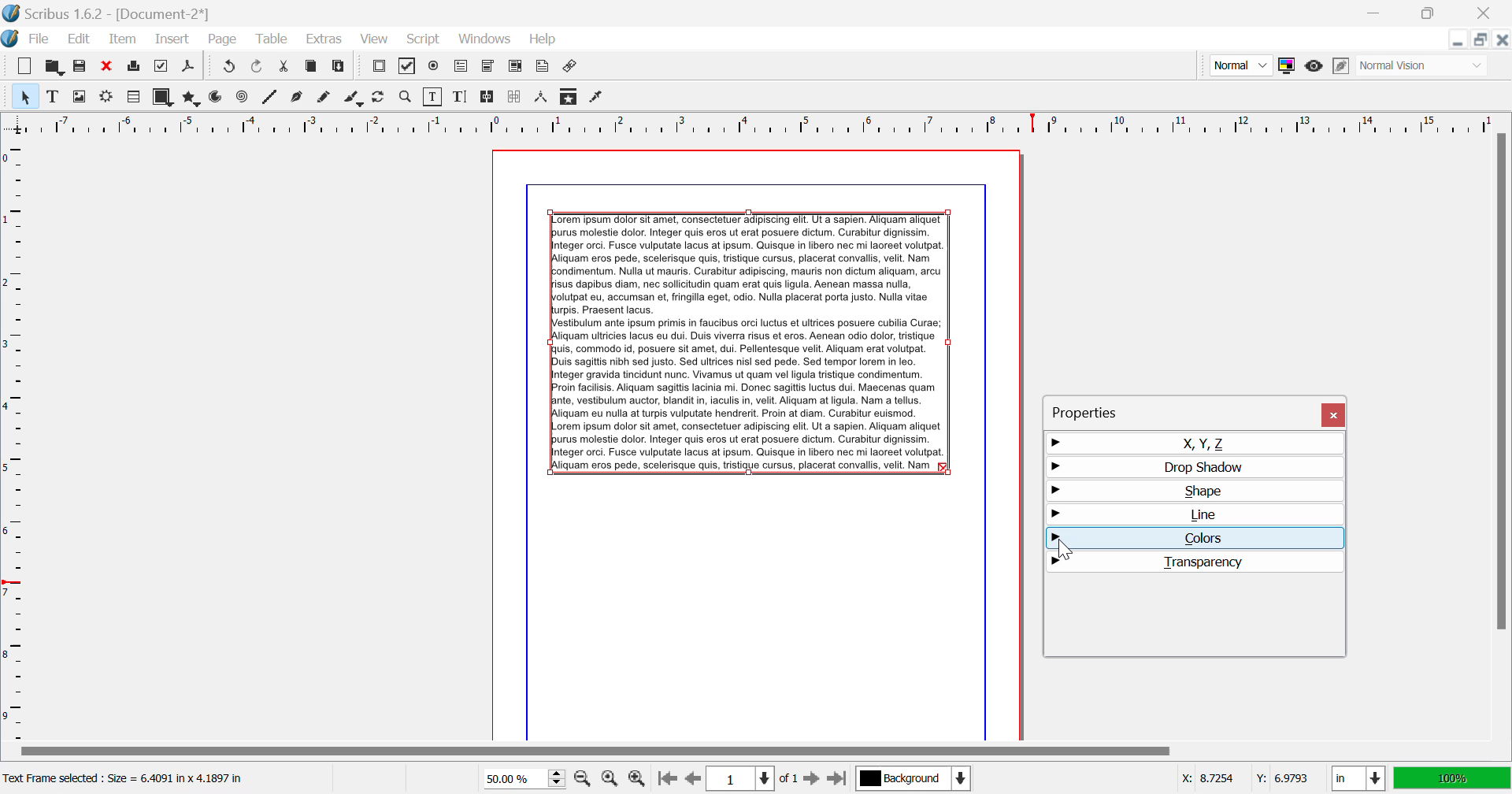 This screenshot has height=794, width=1512. Describe the element at coordinates (76, 39) in the screenshot. I see `Edit` at that location.